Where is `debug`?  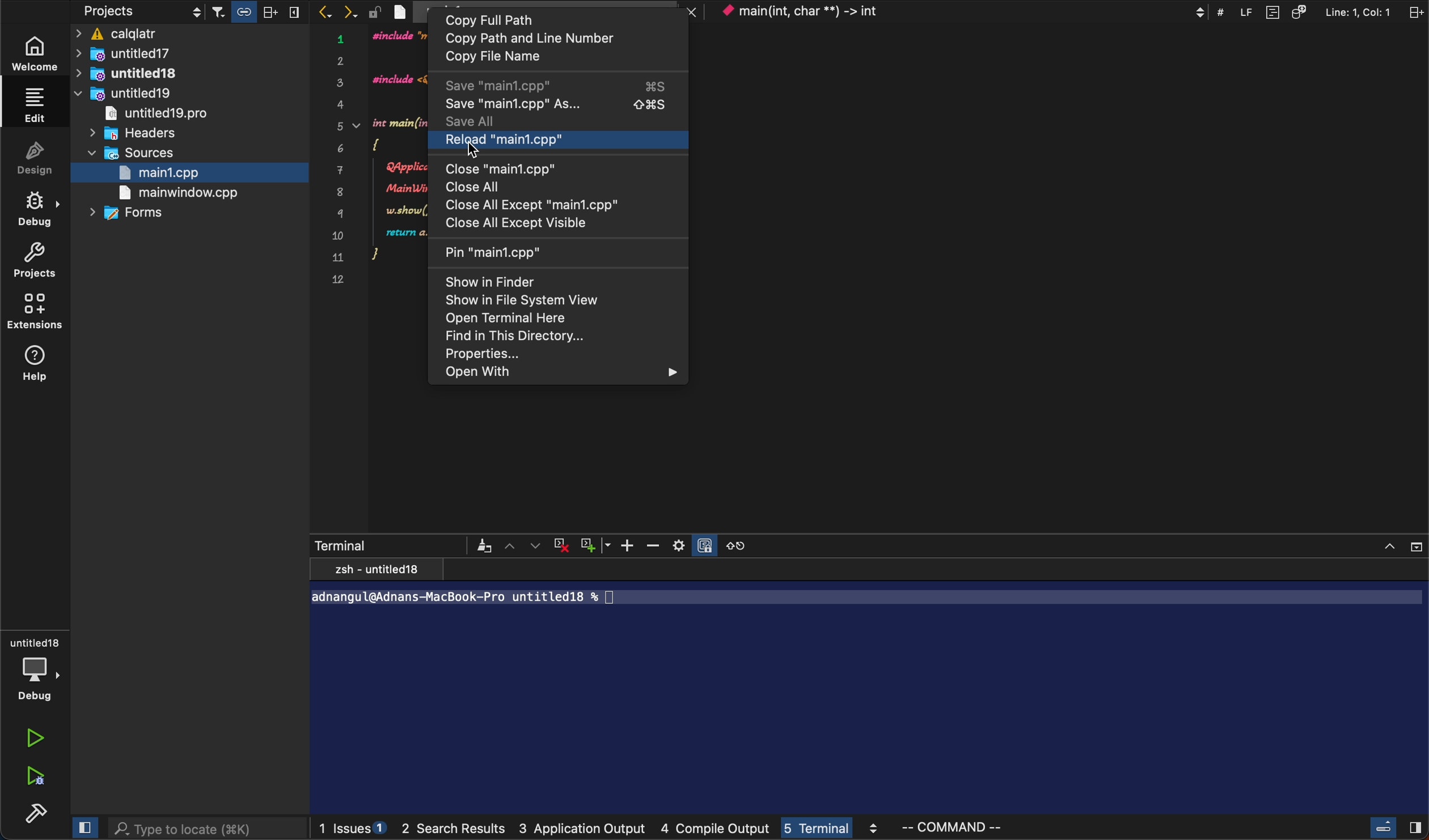
debug is located at coordinates (34, 667).